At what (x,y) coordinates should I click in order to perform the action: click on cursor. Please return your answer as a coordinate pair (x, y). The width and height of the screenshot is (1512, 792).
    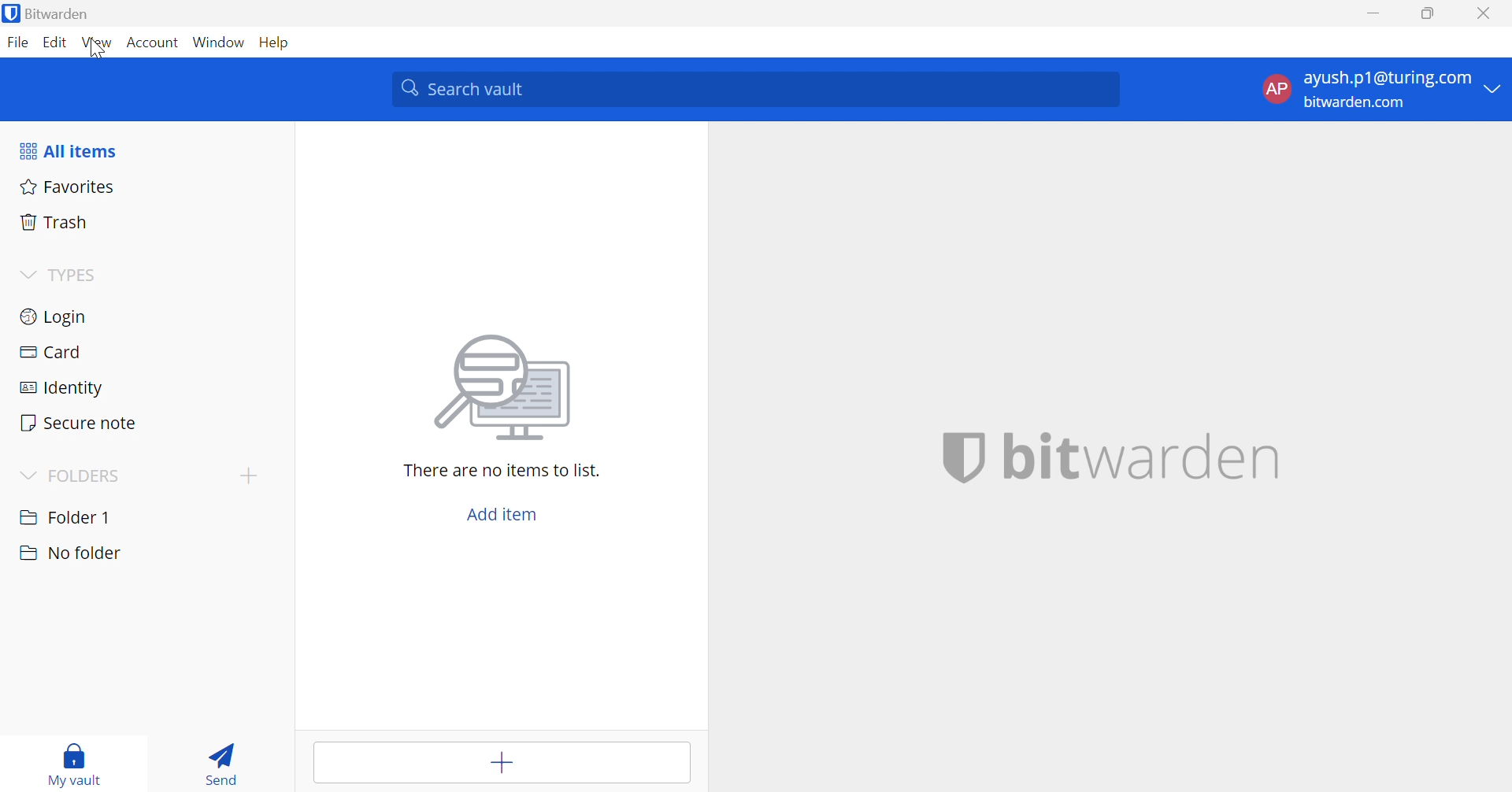
    Looking at the image, I should click on (95, 53).